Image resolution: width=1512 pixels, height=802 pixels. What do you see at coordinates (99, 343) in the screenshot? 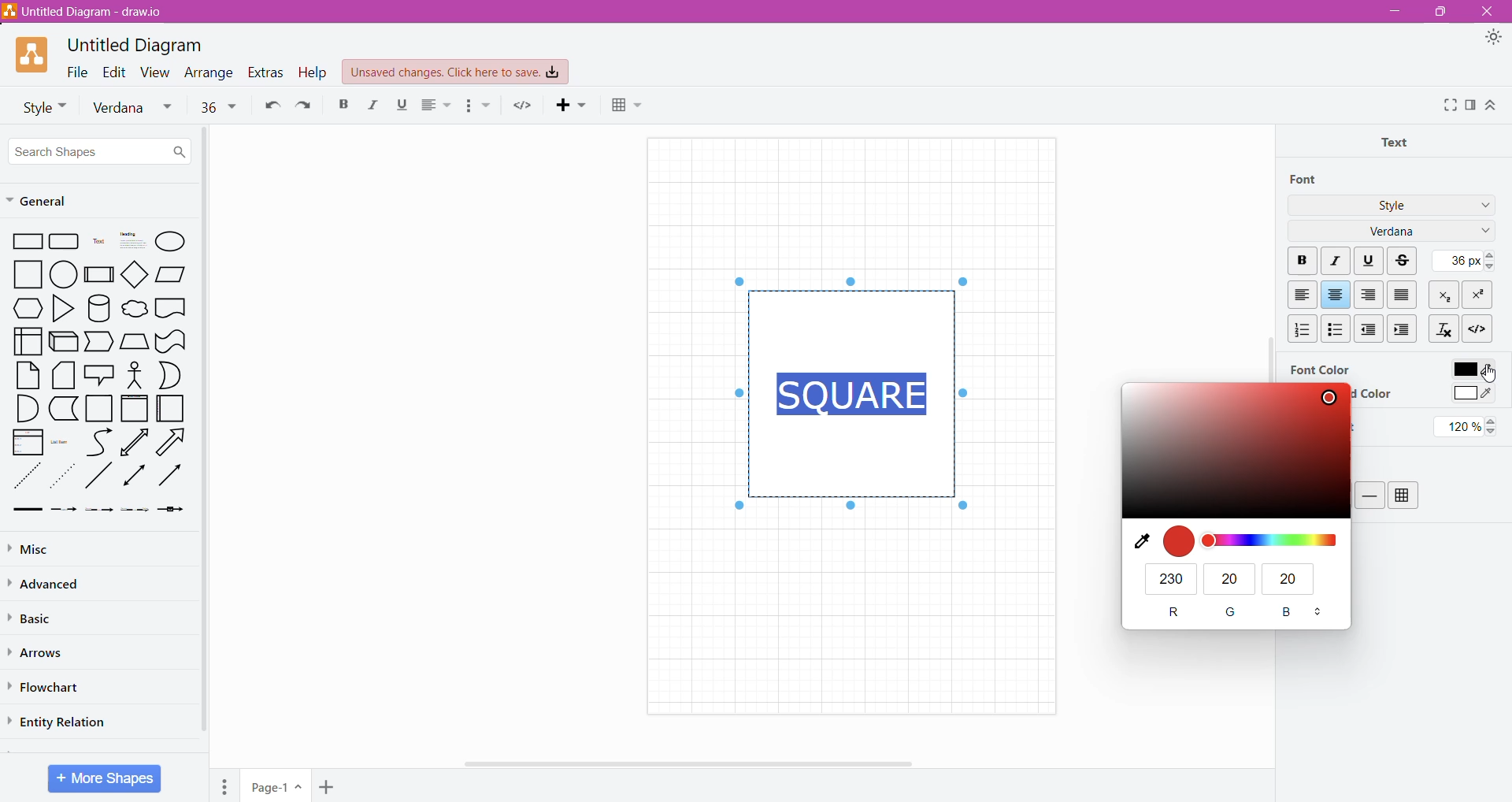
I see `Trapezoid` at bounding box center [99, 343].